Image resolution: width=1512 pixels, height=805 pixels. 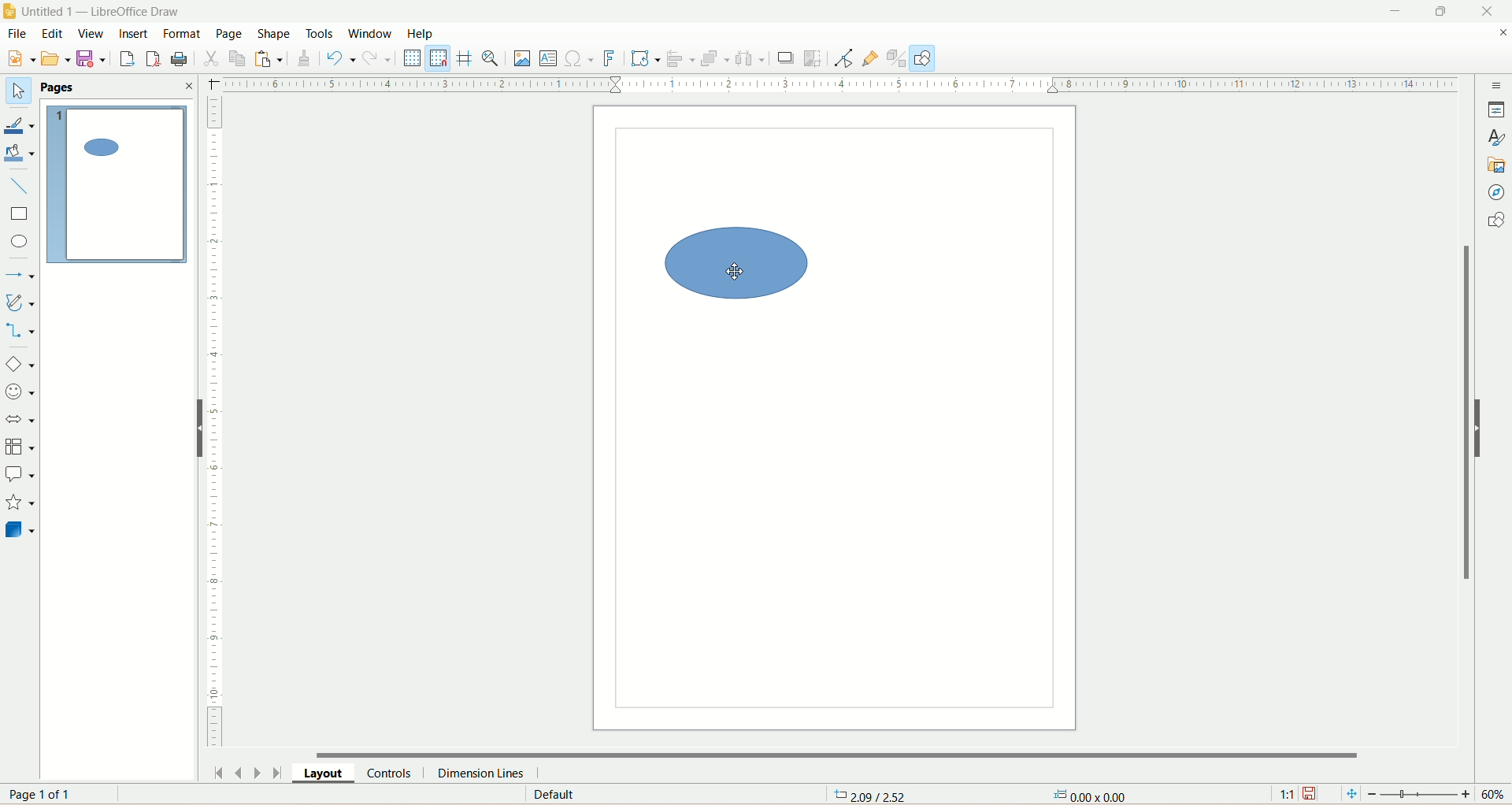 I want to click on window, so click(x=371, y=35).